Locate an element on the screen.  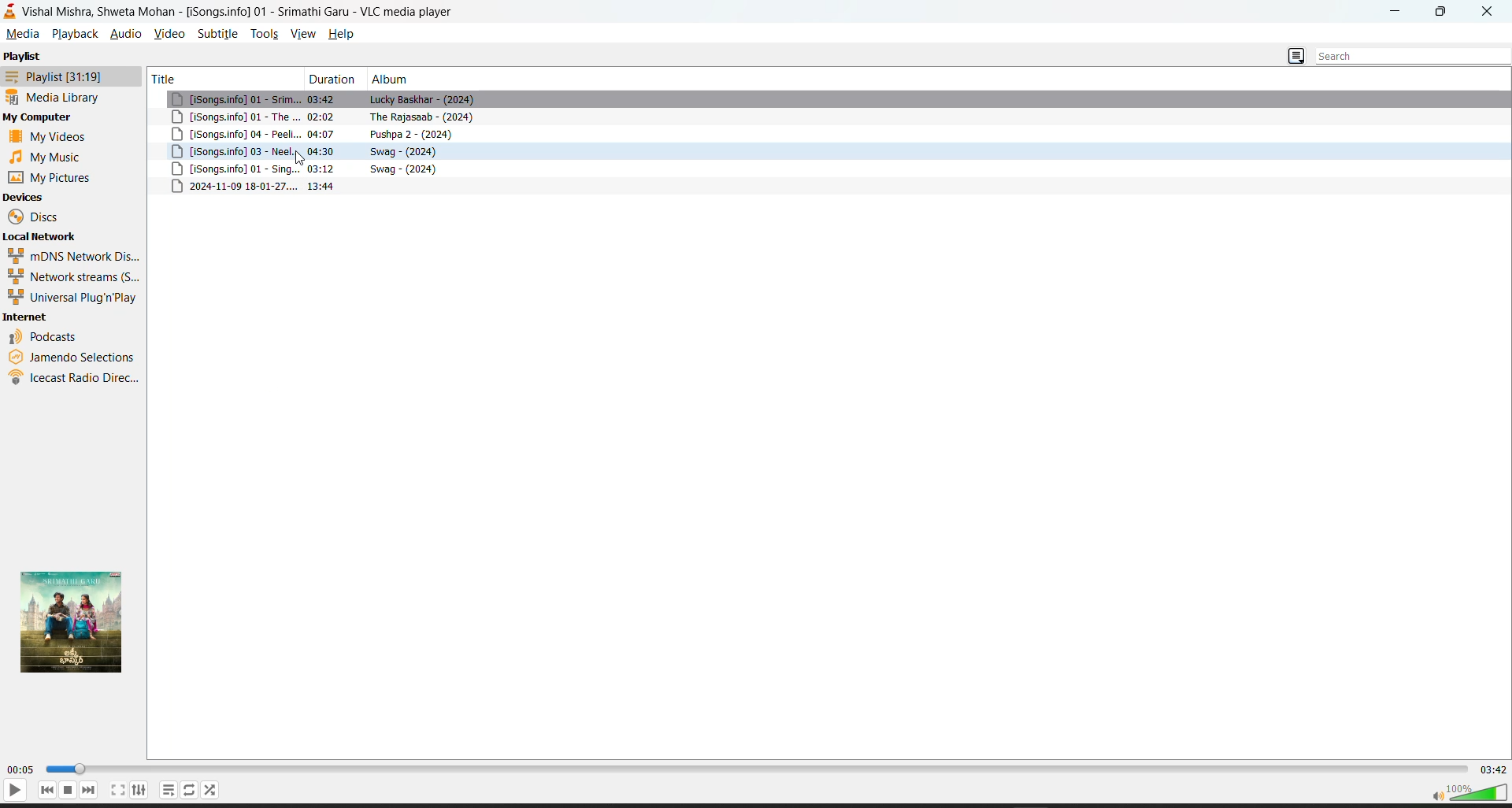
media library is located at coordinates (61, 97).